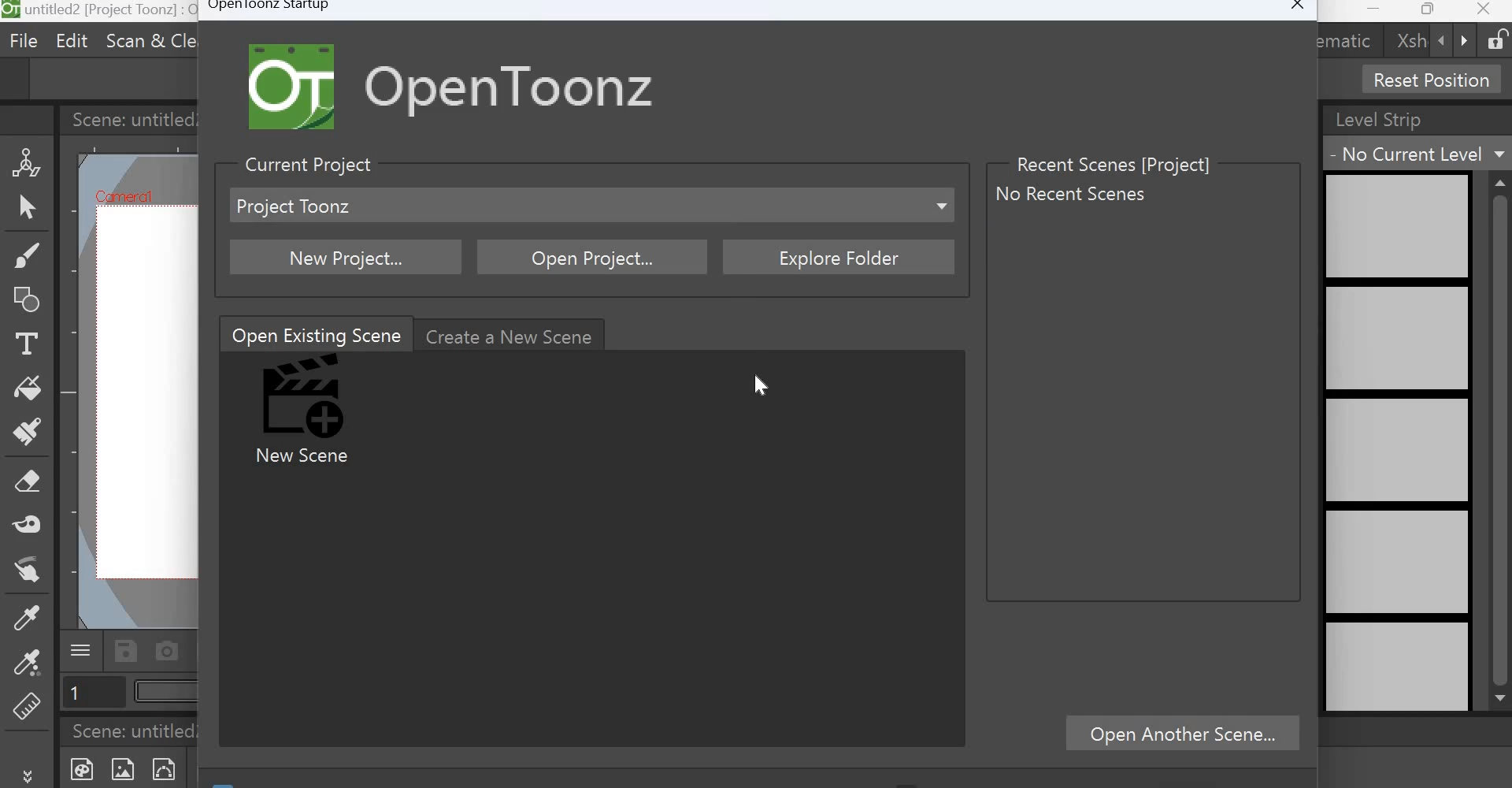 The image size is (1512, 788). Describe the element at coordinates (1430, 12) in the screenshot. I see `Maximize` at that location.